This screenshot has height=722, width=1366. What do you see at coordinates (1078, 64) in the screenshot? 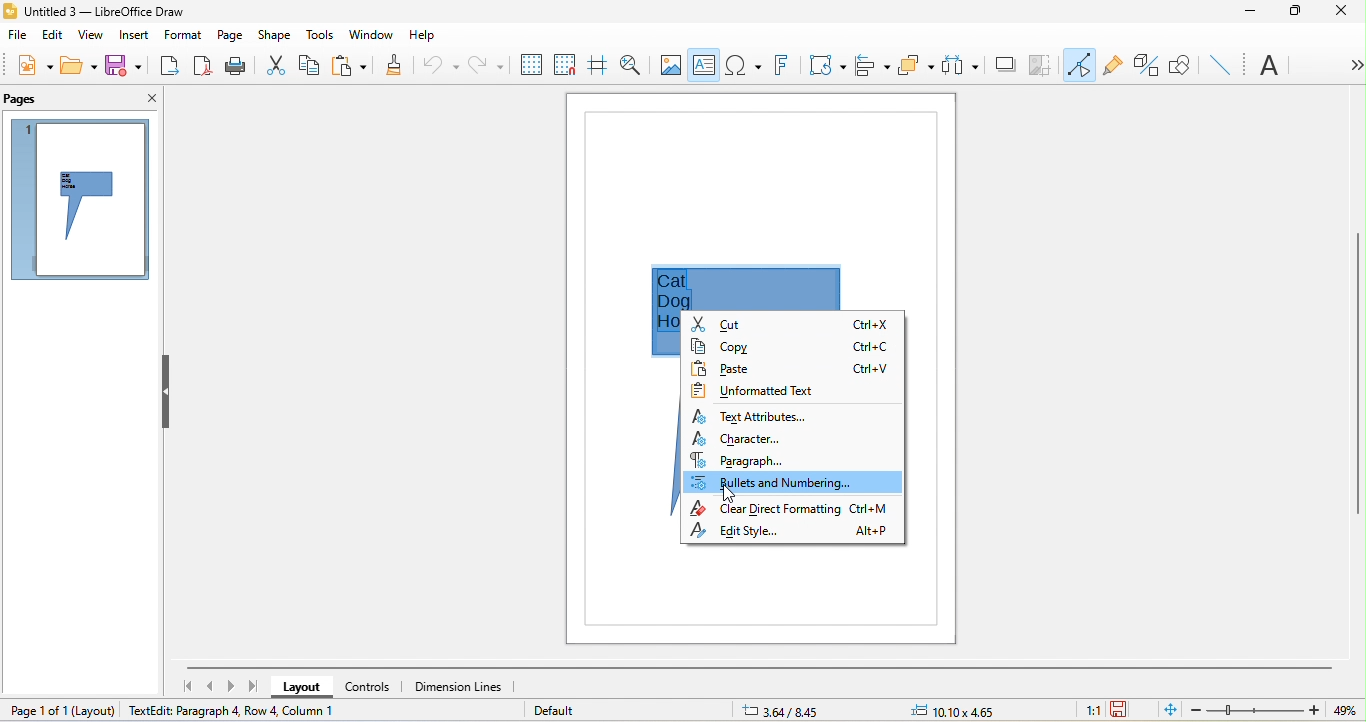
I see `toggle point edit mode` at bounding box center [1078, 64].